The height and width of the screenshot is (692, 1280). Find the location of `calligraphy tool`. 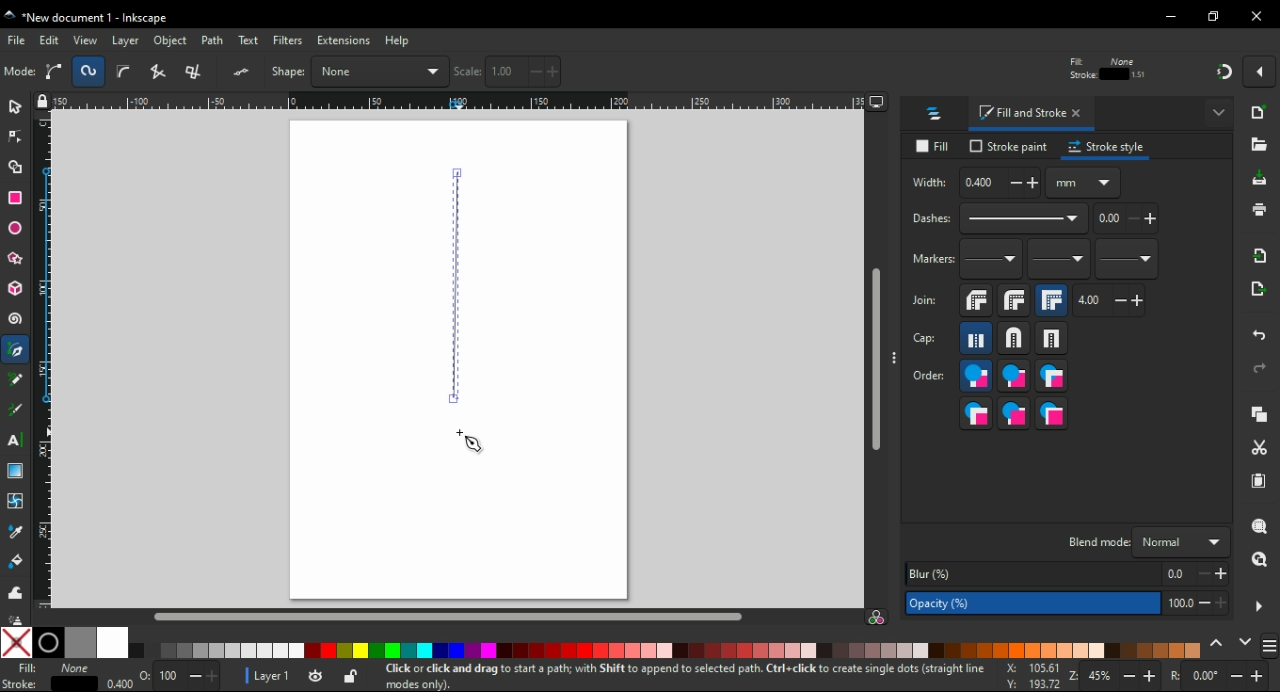

calligraphy tool is located at coordinates (16, 410).